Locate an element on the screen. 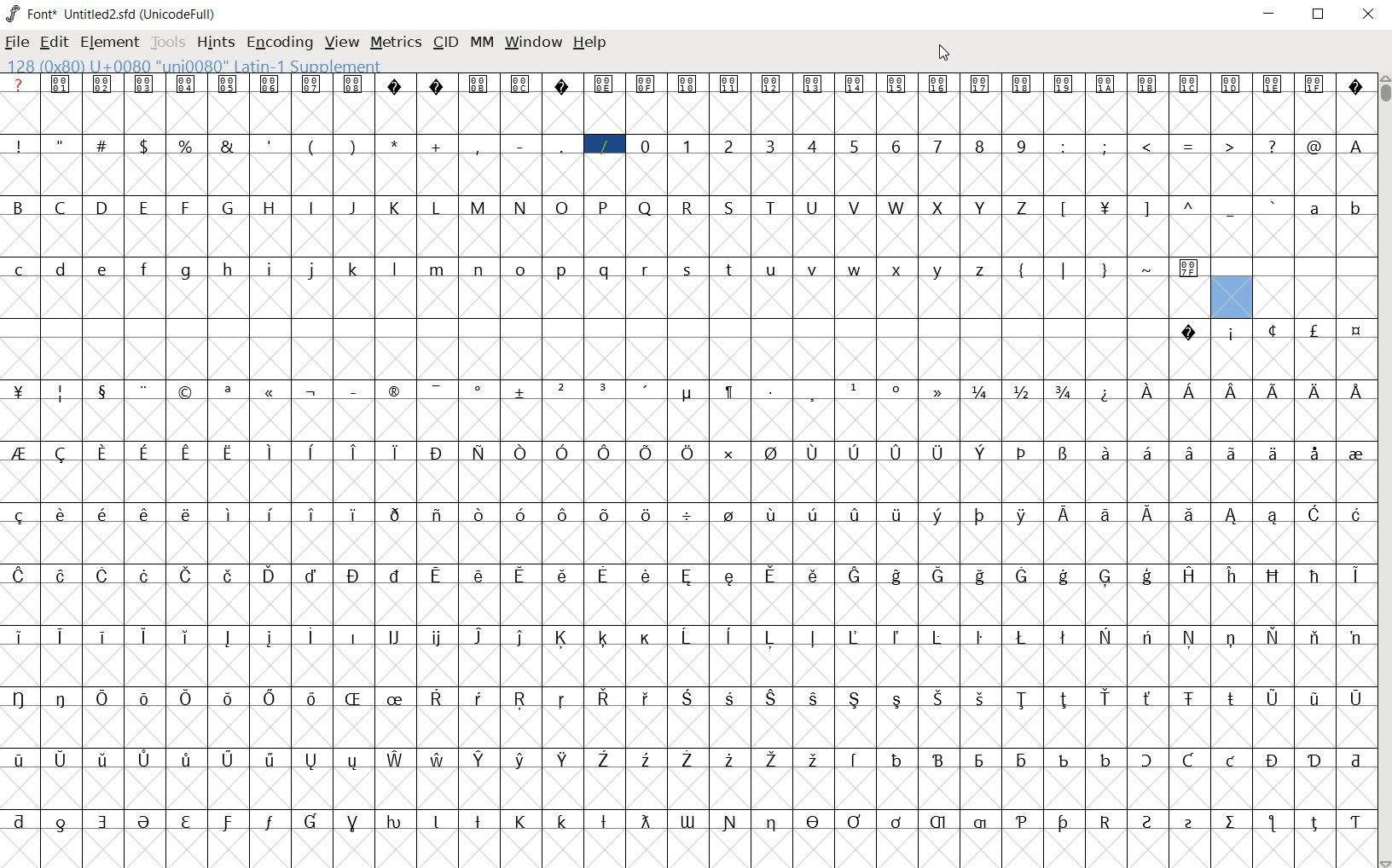  glyph is located at coordinates (271, 269).